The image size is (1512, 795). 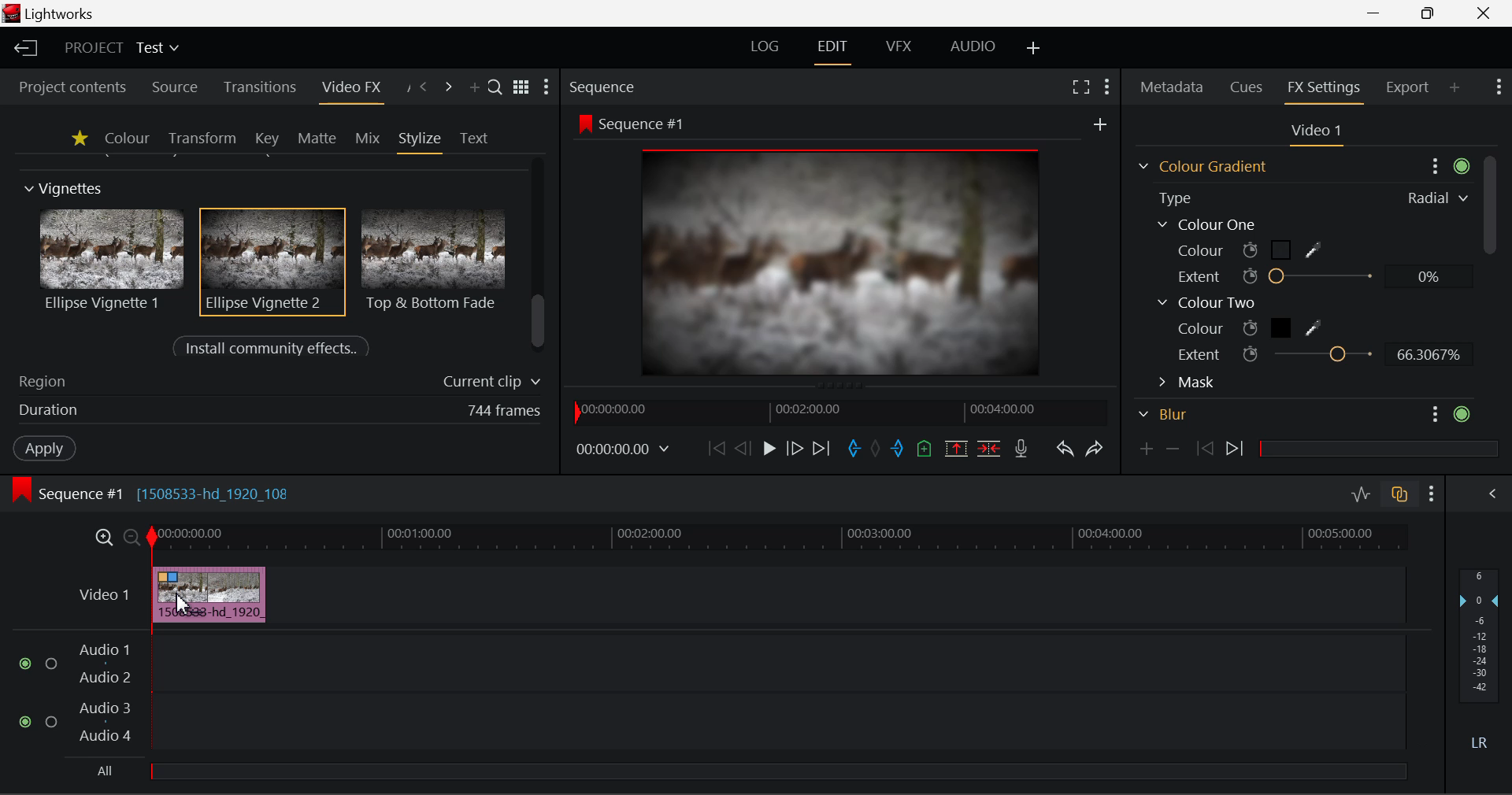 I want to click on Video FX Panel Open, so click(x=355, y=89).